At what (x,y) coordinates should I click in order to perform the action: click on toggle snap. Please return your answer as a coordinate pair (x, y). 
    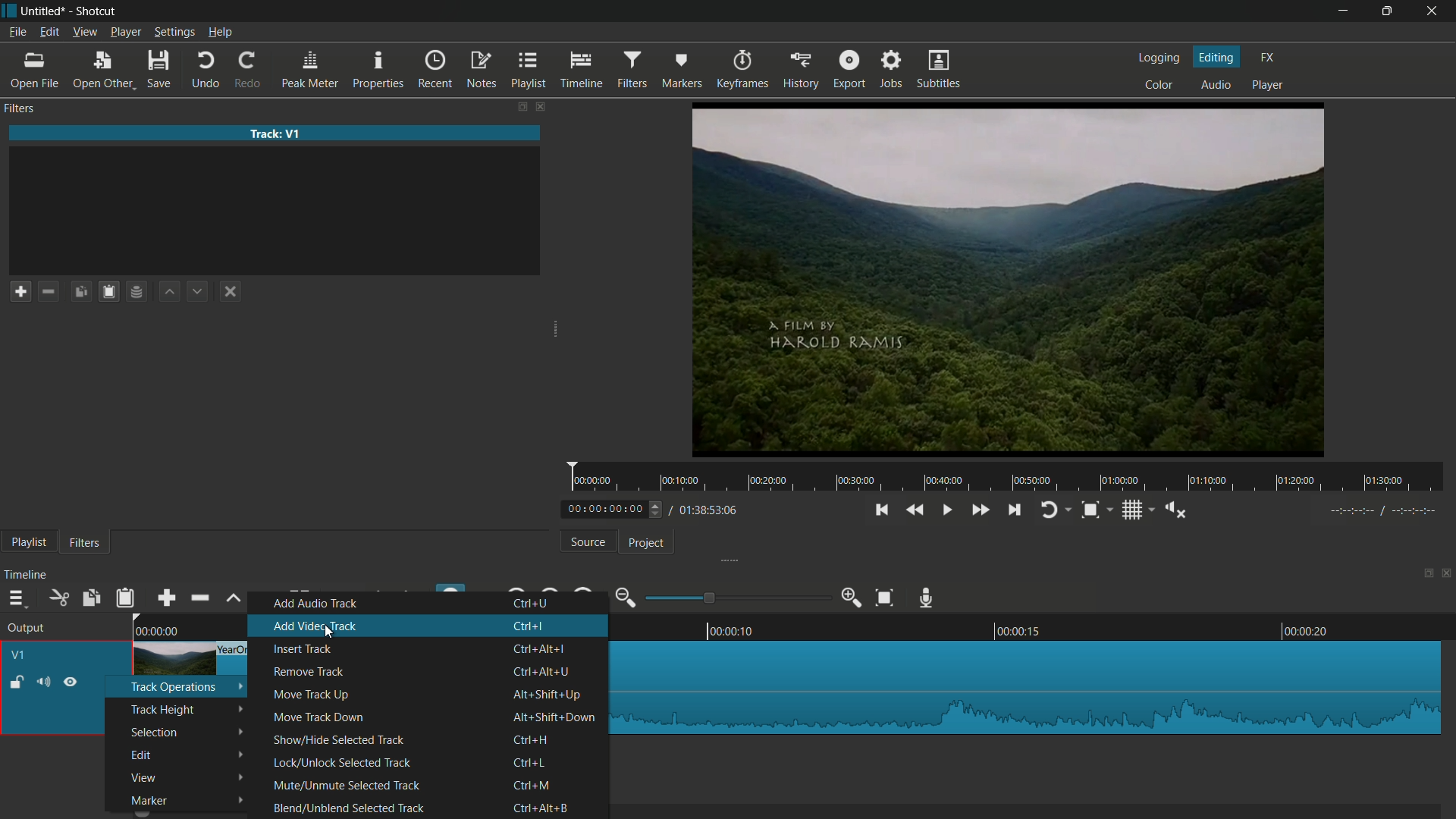
    Looking at the image, I should click on (1090, 510).